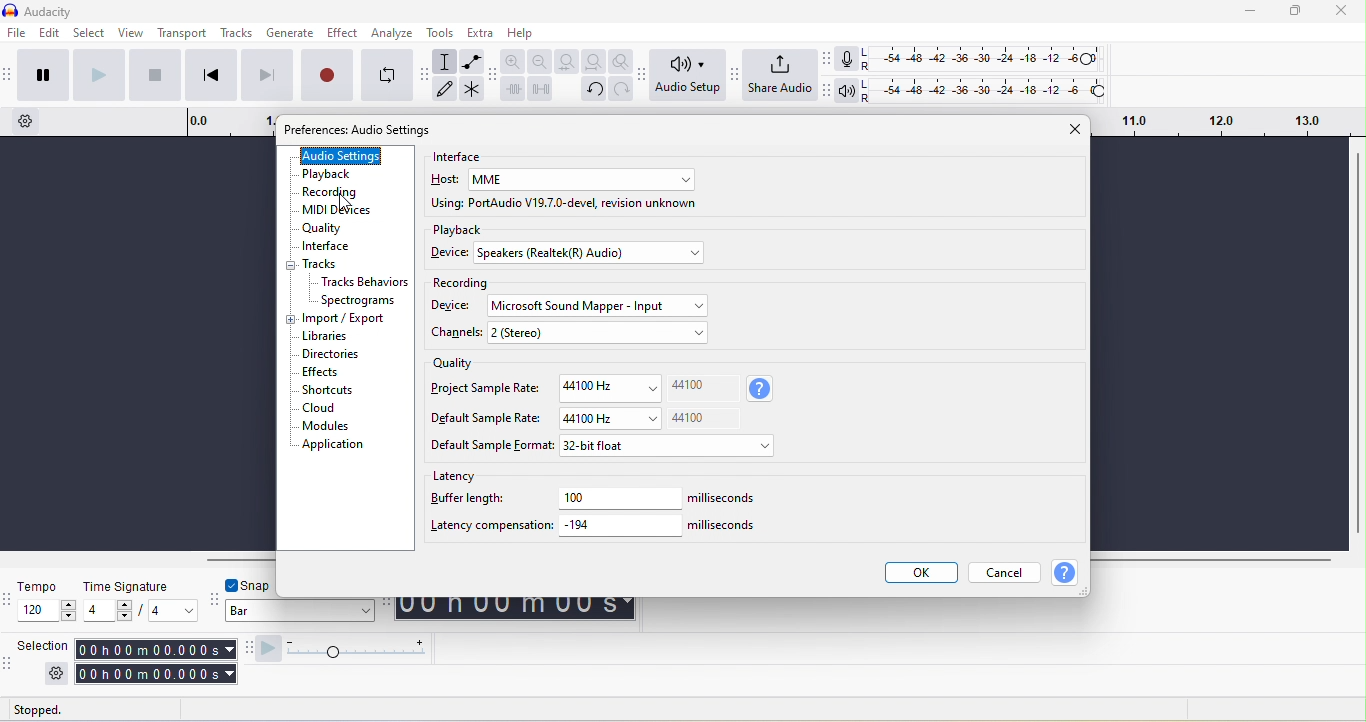 The height and width of the screenshot is (722, 1366). I want to click on timeline option, so click(27, 121).